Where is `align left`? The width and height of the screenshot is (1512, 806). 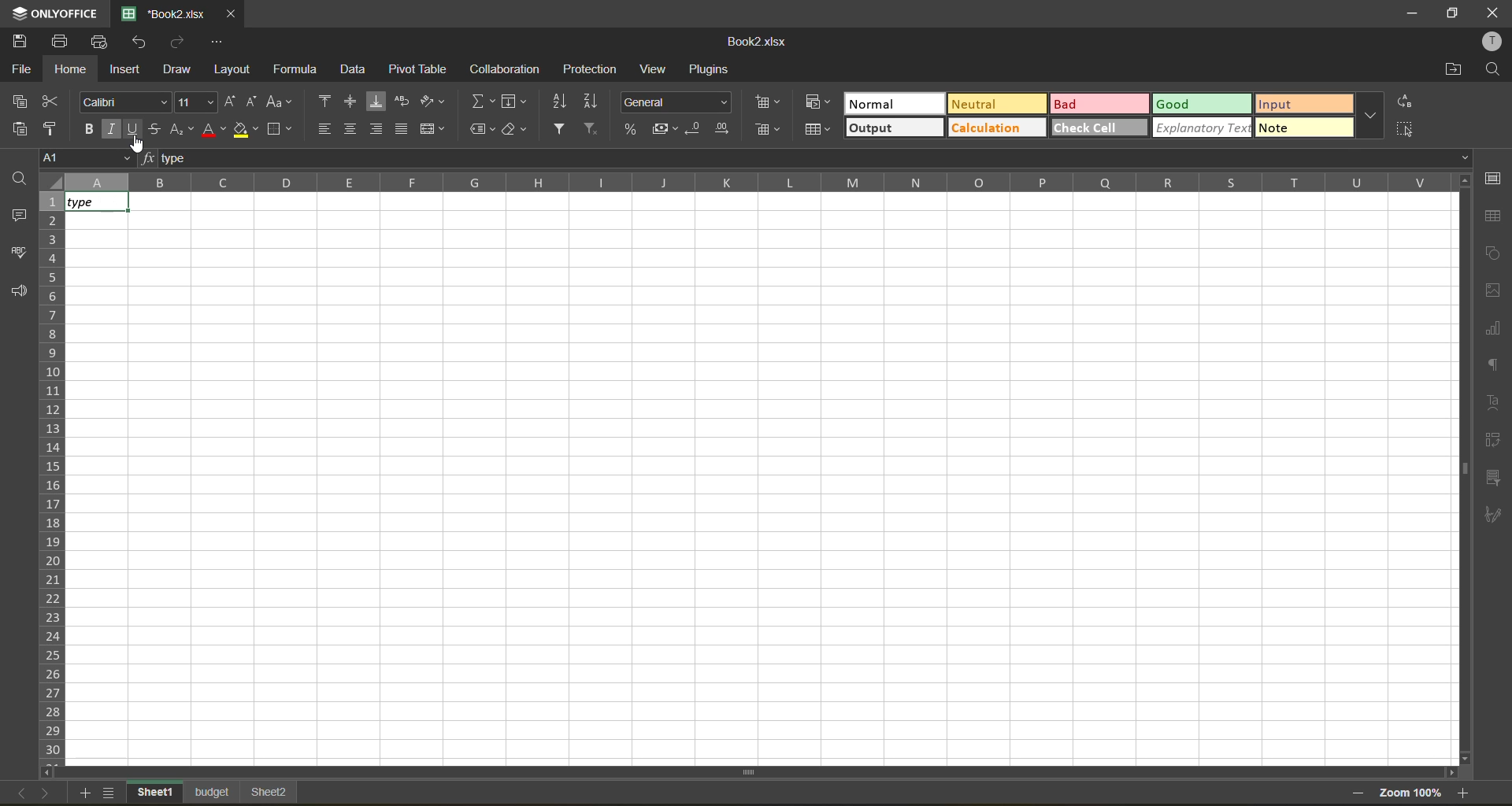
align left is located at coordinates (324, 129).